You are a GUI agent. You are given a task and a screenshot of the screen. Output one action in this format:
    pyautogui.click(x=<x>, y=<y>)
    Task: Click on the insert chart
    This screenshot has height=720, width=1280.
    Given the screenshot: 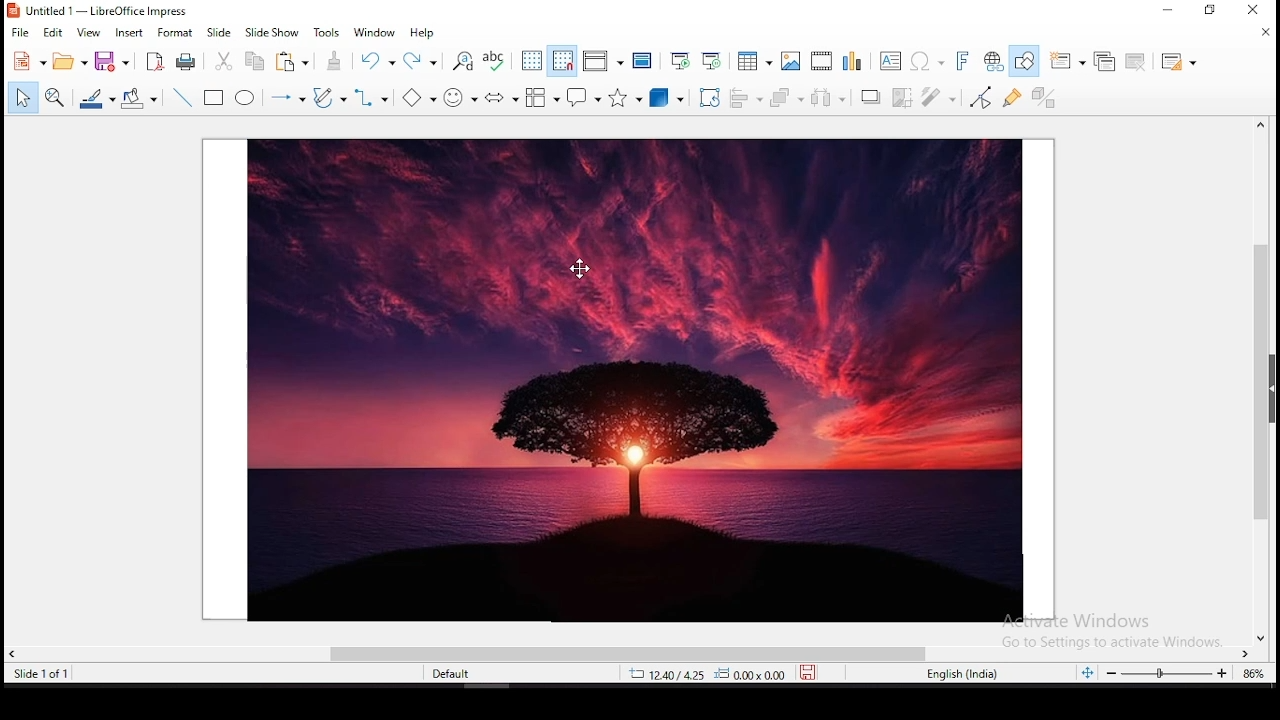 What is the action you would take?
    pyautogui.click(x=851, y=62)
    